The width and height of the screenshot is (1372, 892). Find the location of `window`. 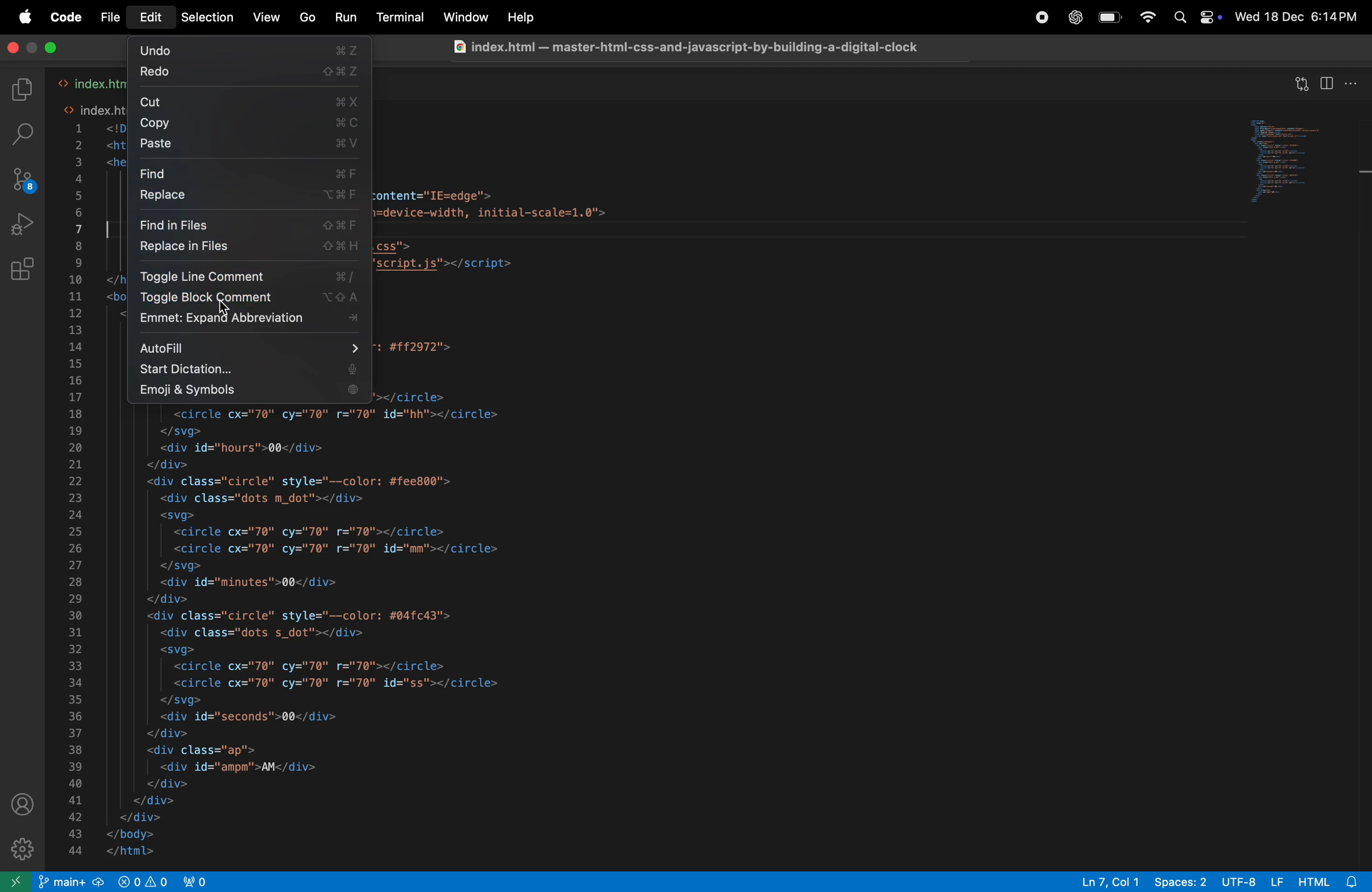

window is located at coordinates (464, 18).